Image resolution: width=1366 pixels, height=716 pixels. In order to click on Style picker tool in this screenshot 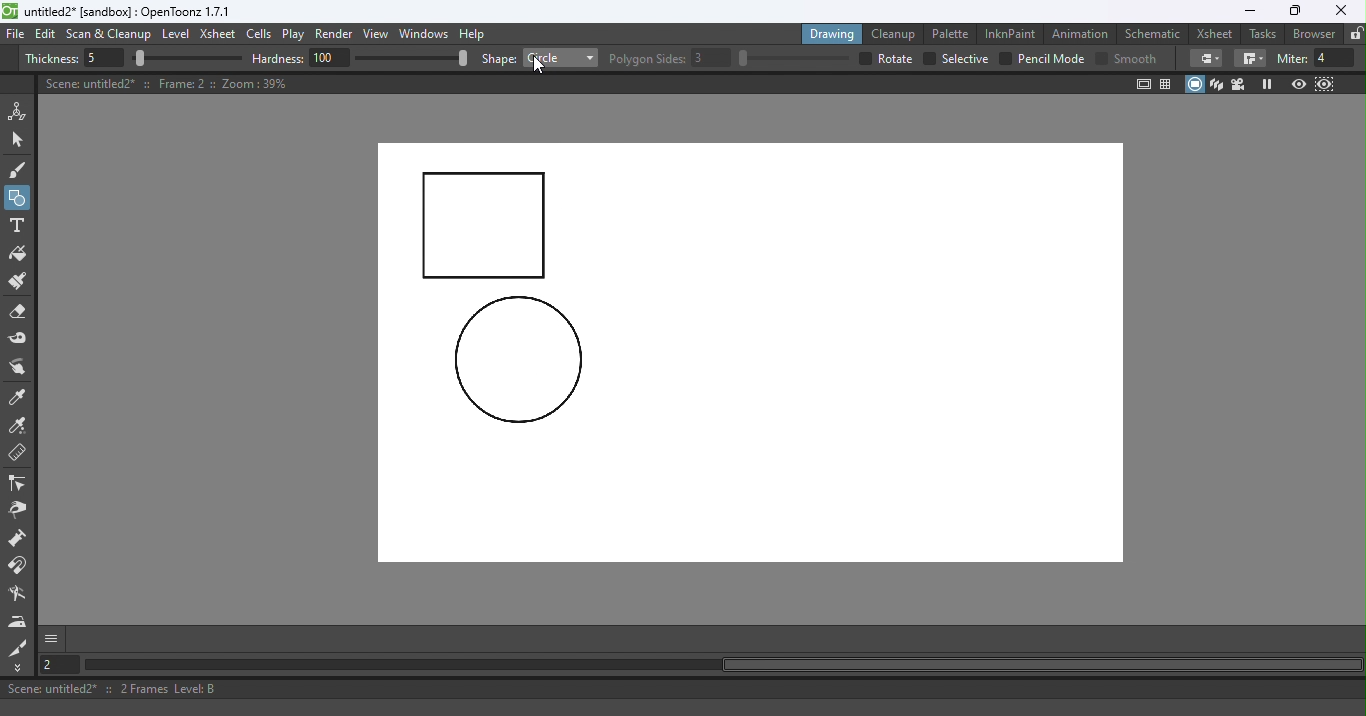, I will do `click(19, 398)`.